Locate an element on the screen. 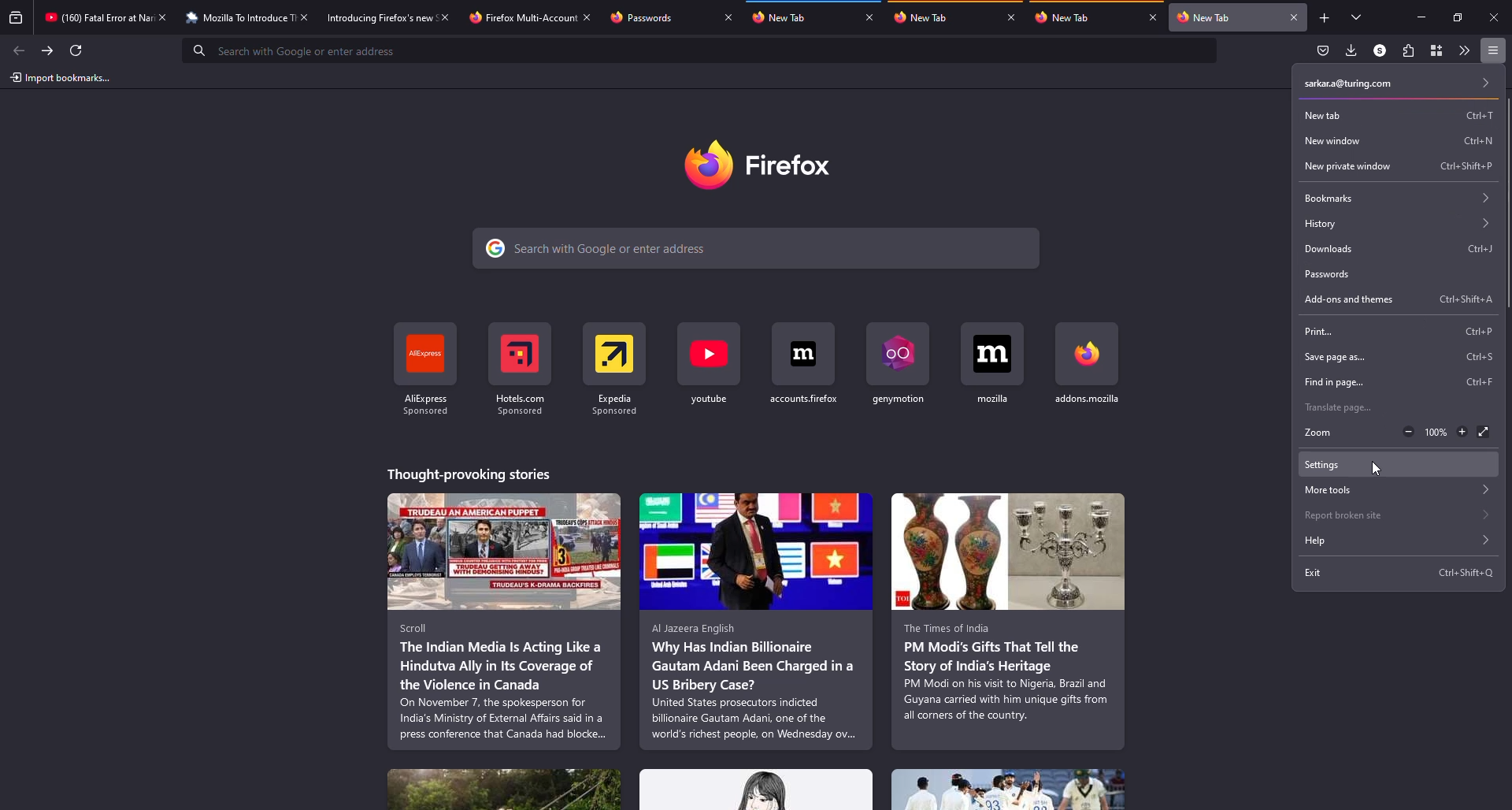 The height and width of the screenshot is (810, 1512). report broken is located at coordinates (1392, 515).